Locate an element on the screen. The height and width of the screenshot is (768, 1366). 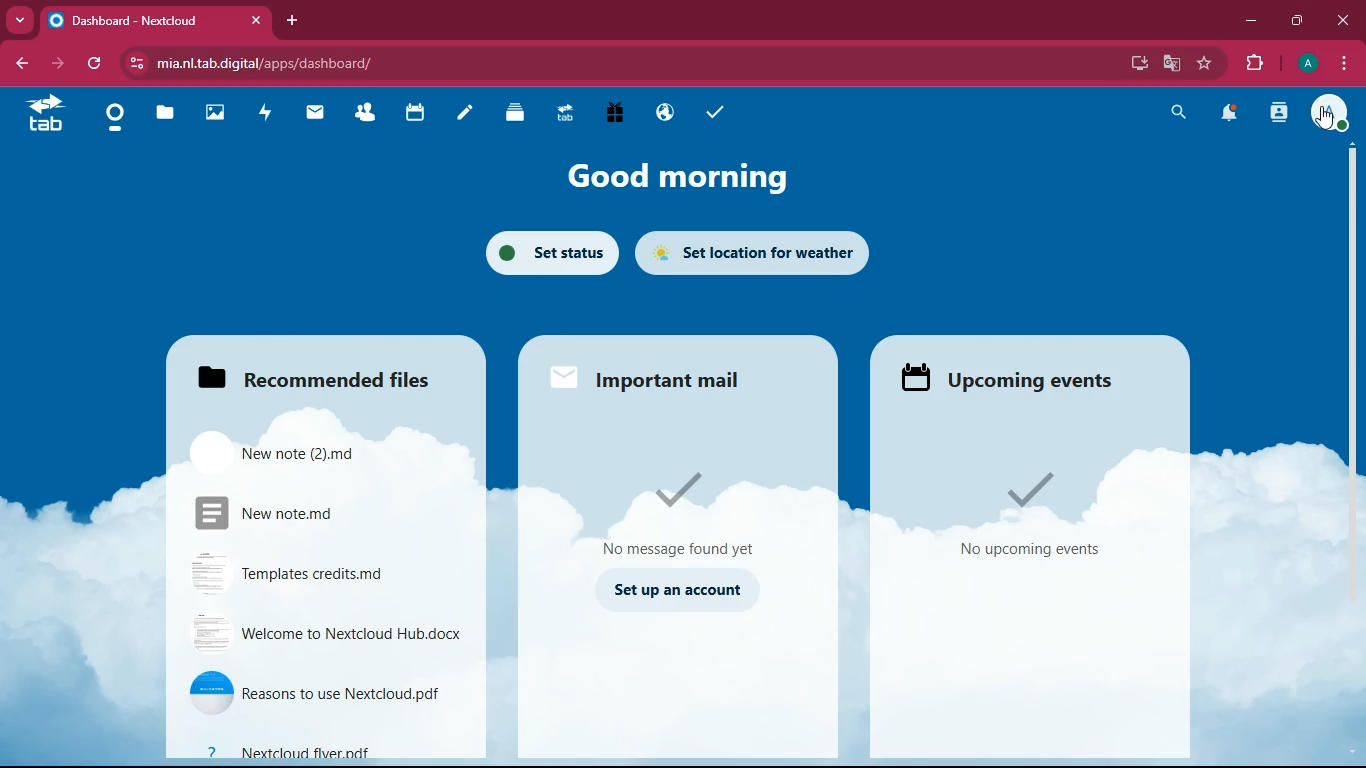
close is located at coordinates (1341, 20).